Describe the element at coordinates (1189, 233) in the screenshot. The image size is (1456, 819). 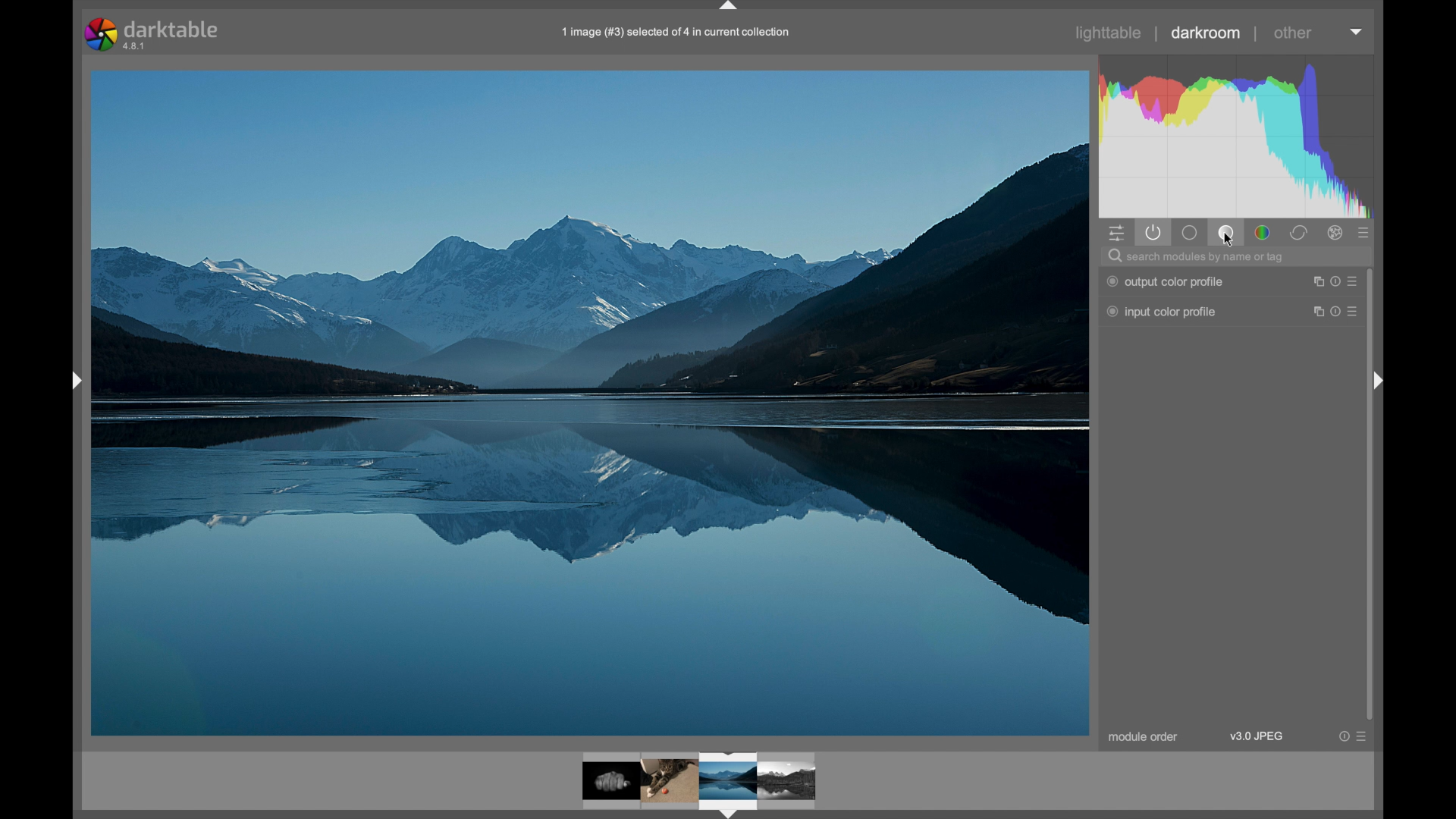
I see `base` at that location.